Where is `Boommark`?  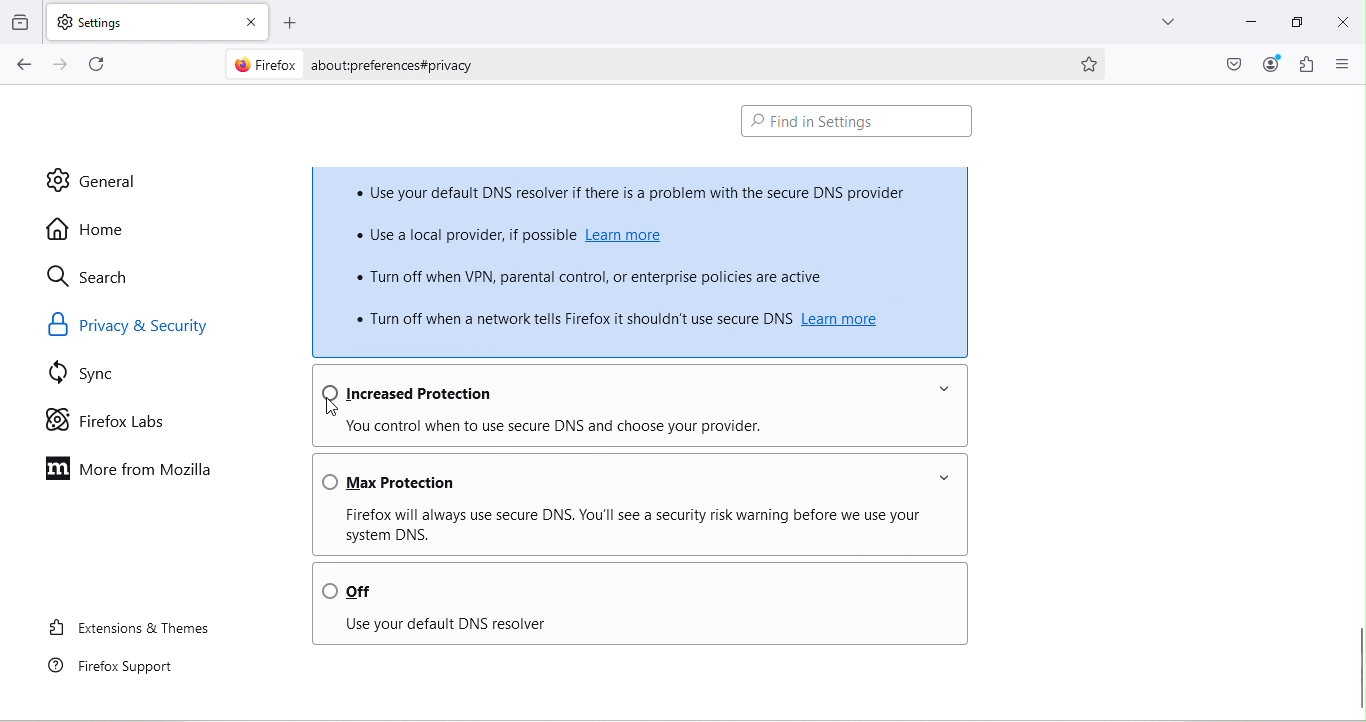
Boommark is located at coordinates (1090, 61).